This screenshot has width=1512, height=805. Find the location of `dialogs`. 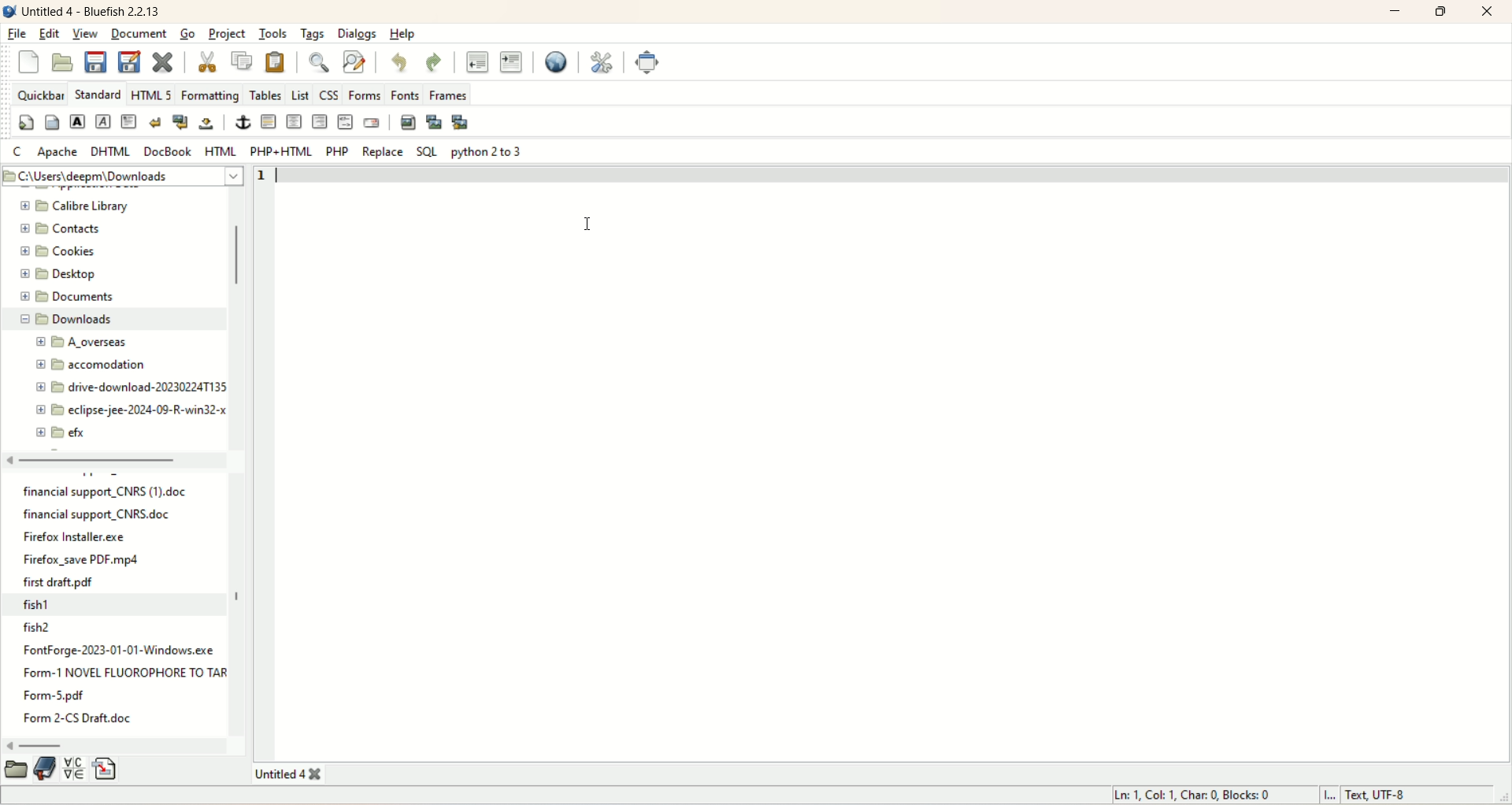

dialogs is located at coordinates (358, 35).